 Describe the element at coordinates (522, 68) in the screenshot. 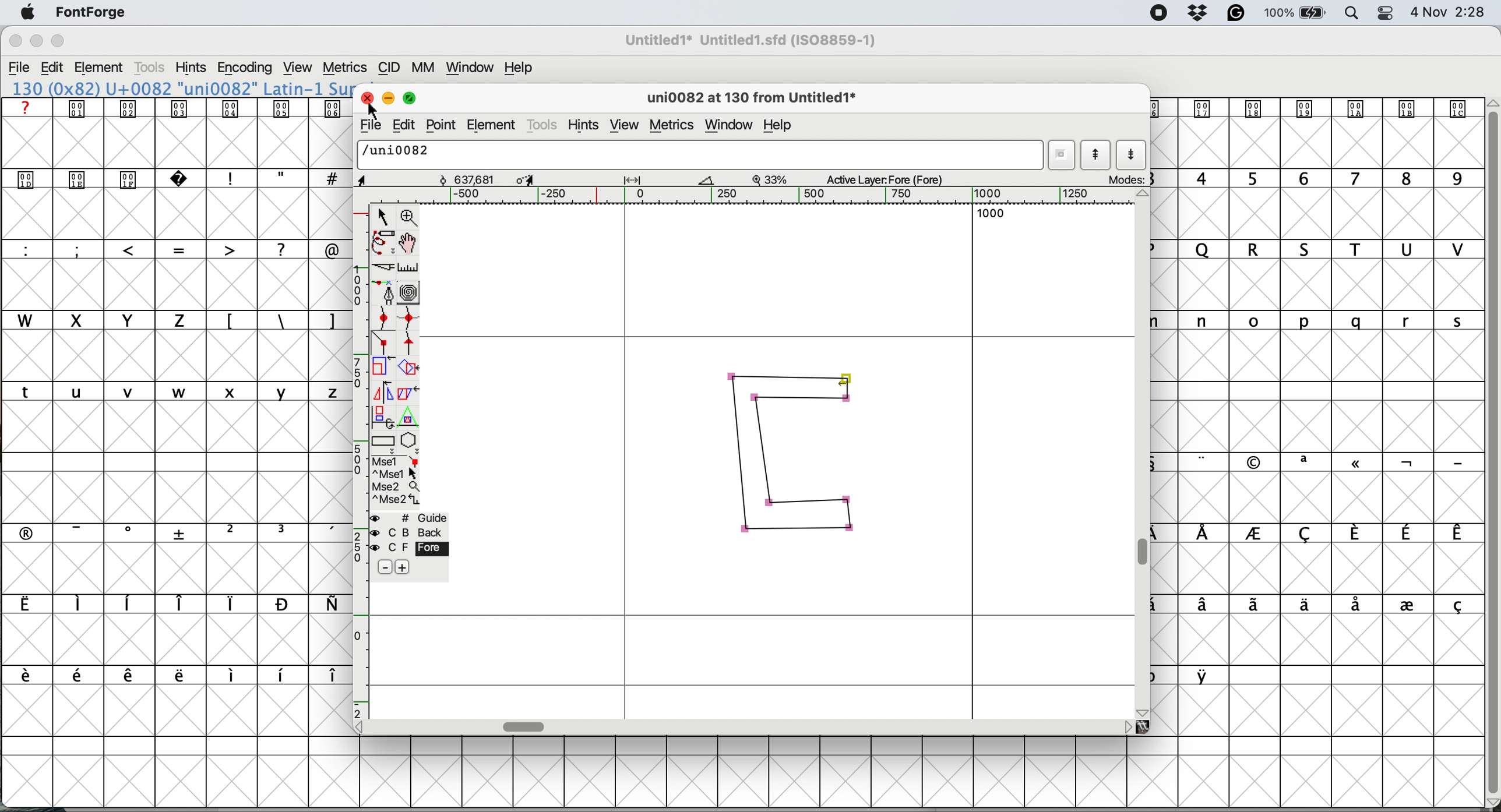

I see `help` at that location.